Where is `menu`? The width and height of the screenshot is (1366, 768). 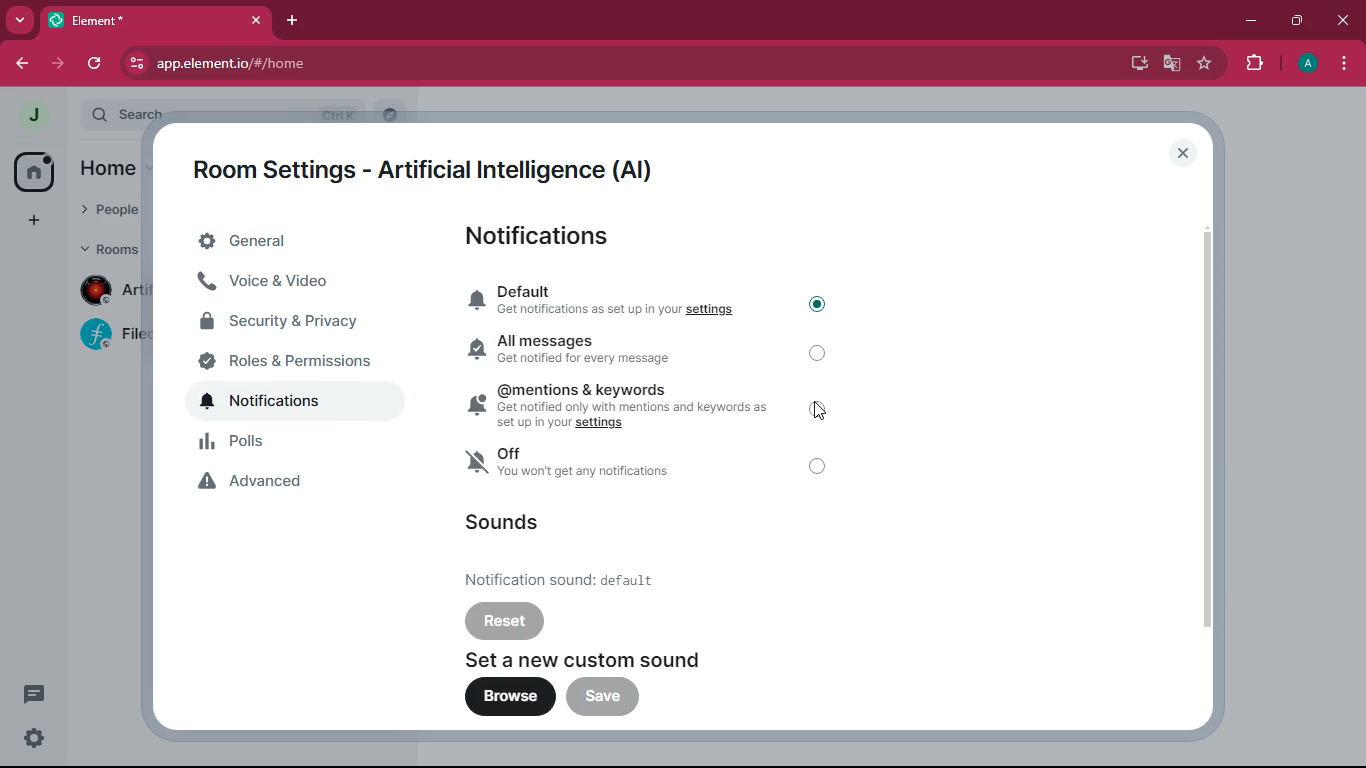
menu is located at coordinates (1343, 66).